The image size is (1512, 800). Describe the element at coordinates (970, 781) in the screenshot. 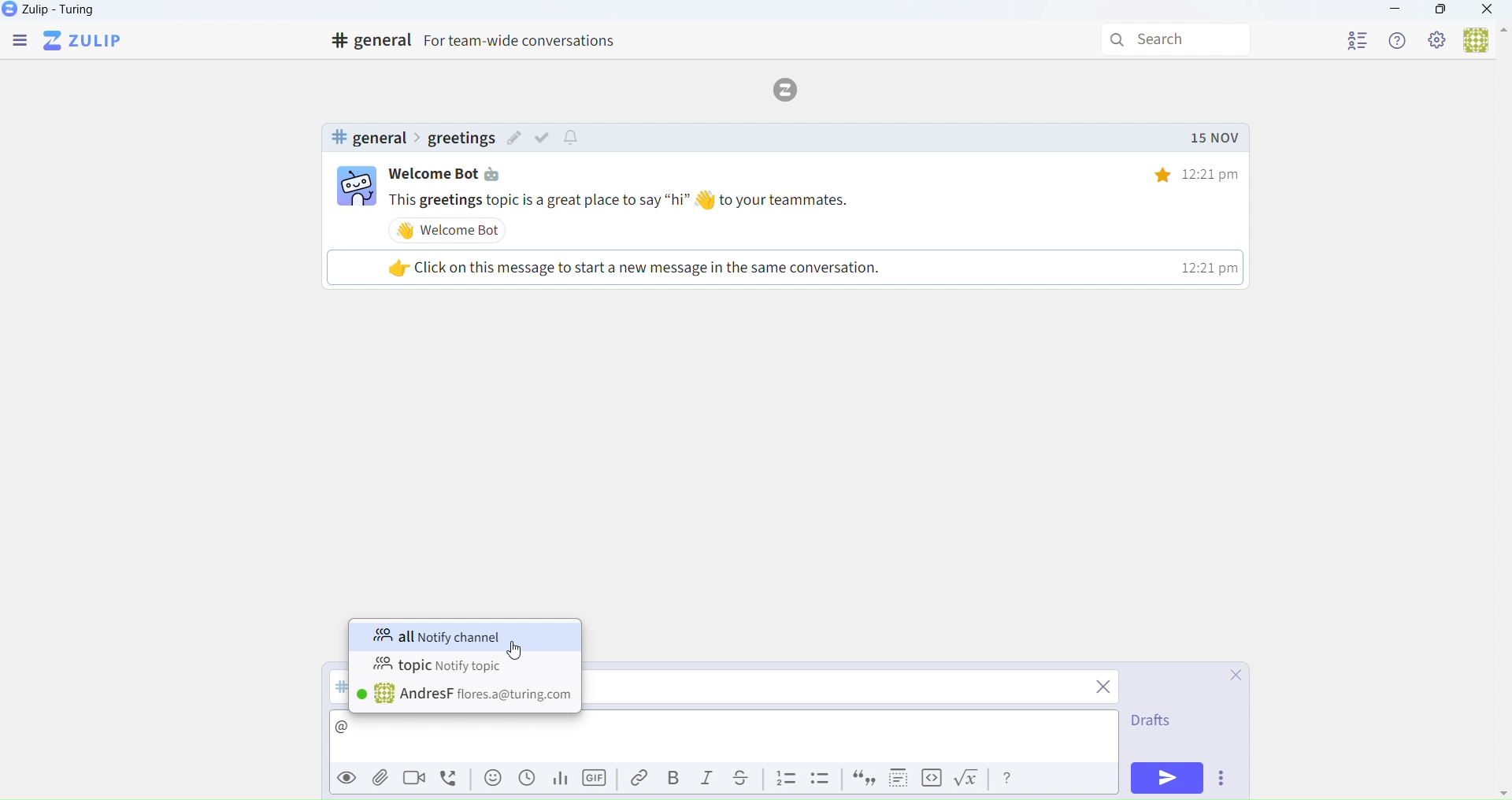

I see `Formula` at that location.